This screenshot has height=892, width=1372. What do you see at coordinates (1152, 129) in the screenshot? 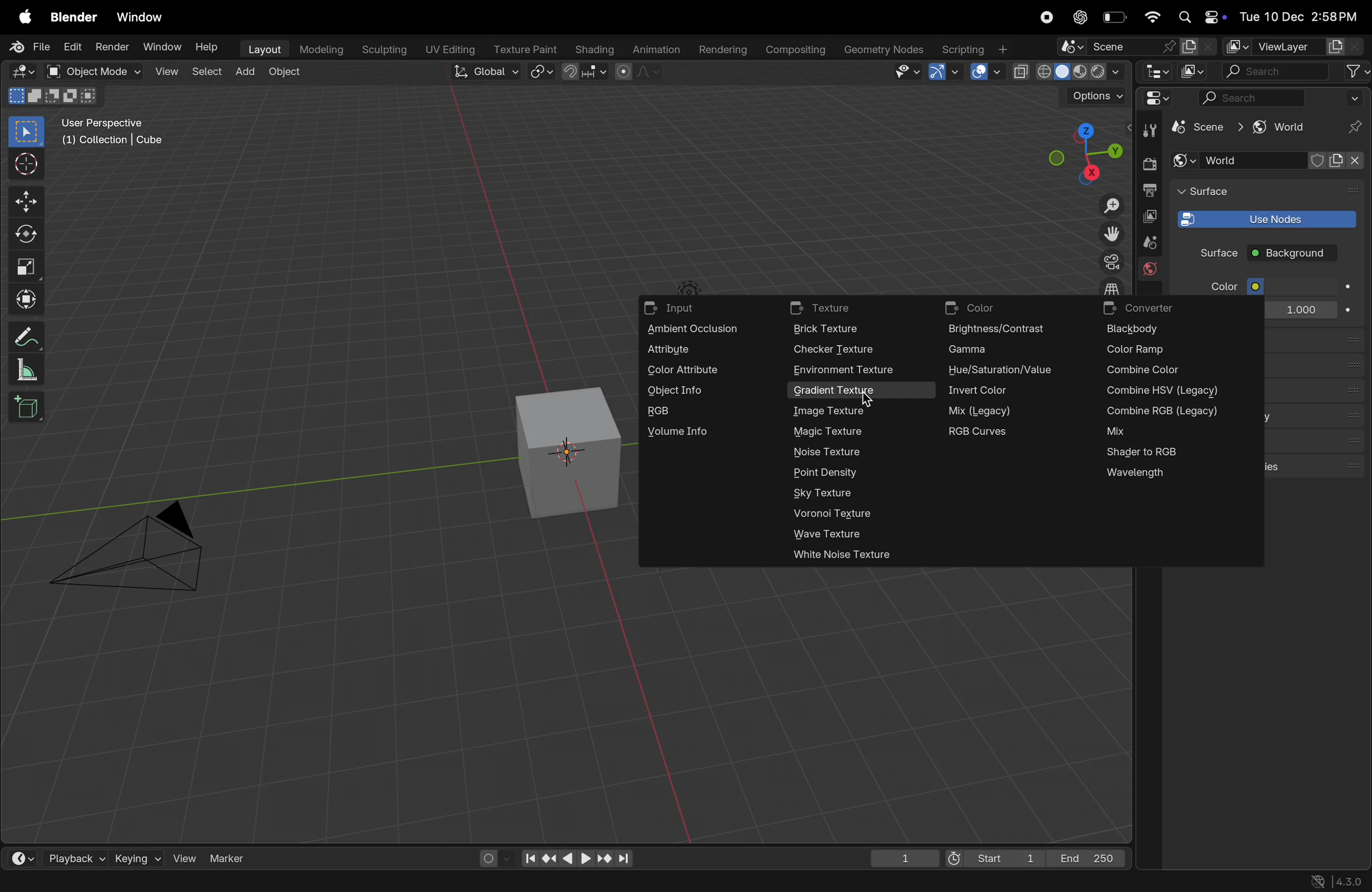
I see `Tool` at bounding box center [1152, 129].